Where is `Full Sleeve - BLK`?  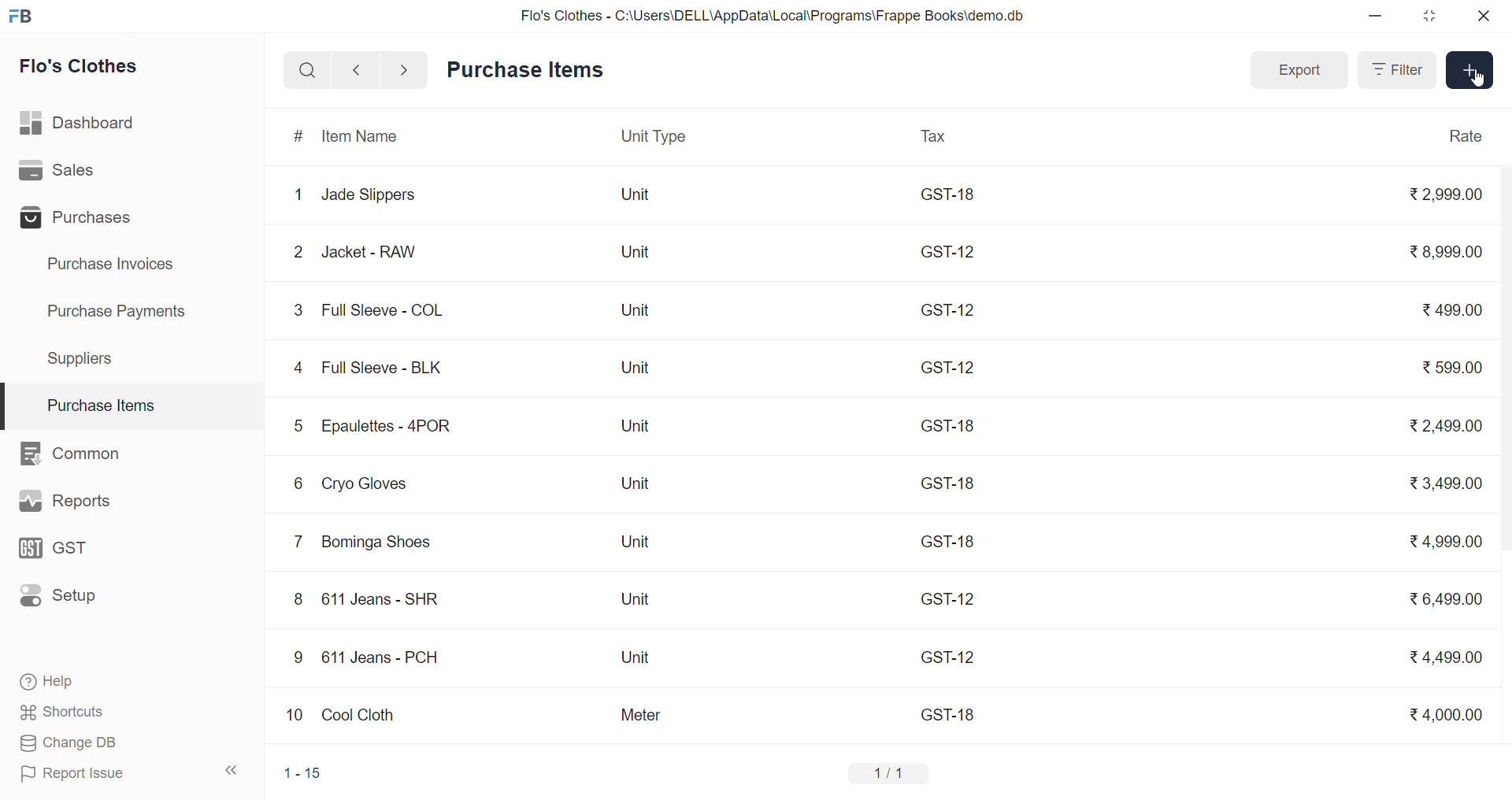
Full Sleeve - BLK is located at coordinates (379, 369).